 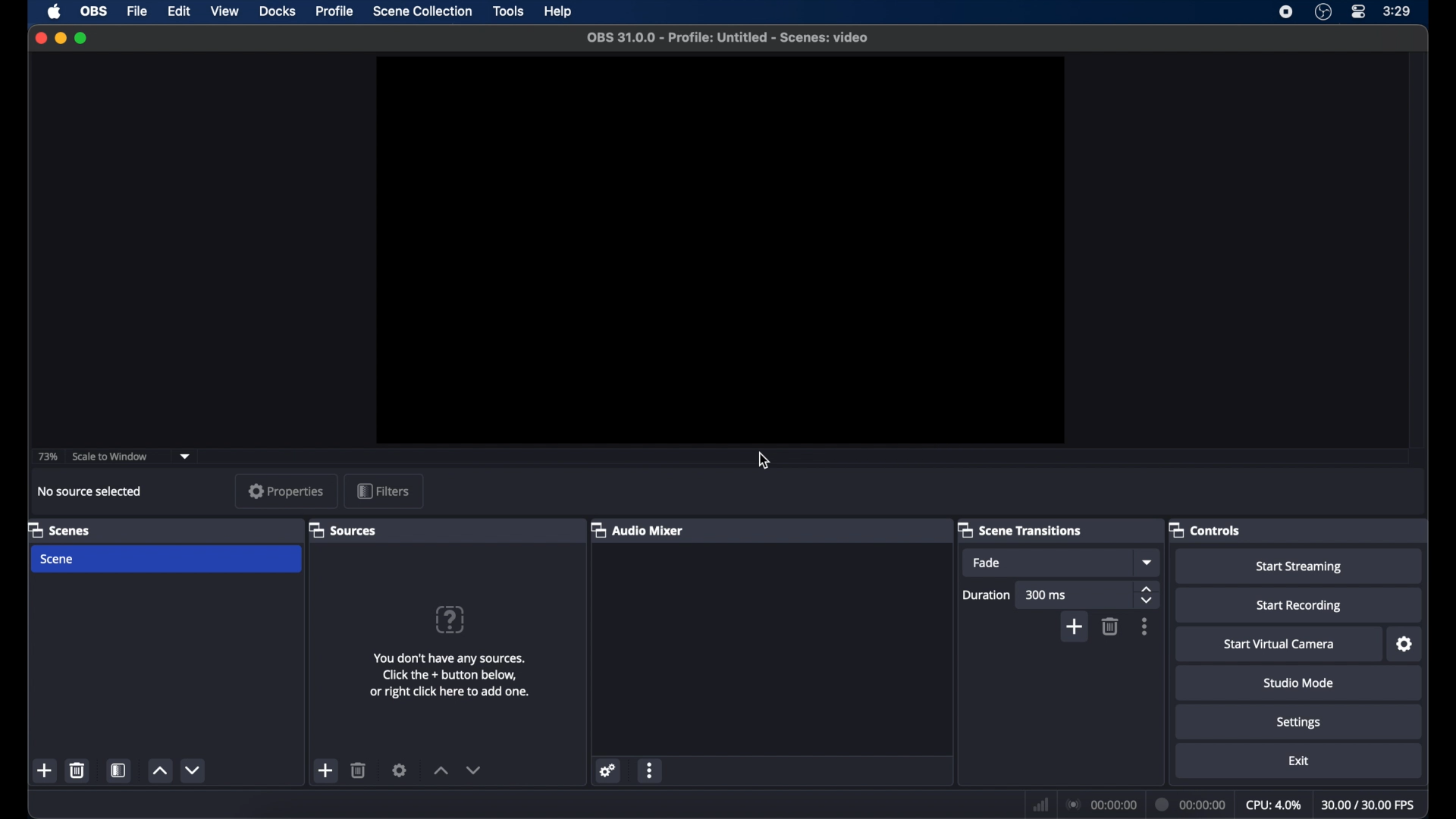 What do you see at coordinates (1278, 645) in the screenshot?
I see `start virtual camera` at bounding box center [1278, 645].